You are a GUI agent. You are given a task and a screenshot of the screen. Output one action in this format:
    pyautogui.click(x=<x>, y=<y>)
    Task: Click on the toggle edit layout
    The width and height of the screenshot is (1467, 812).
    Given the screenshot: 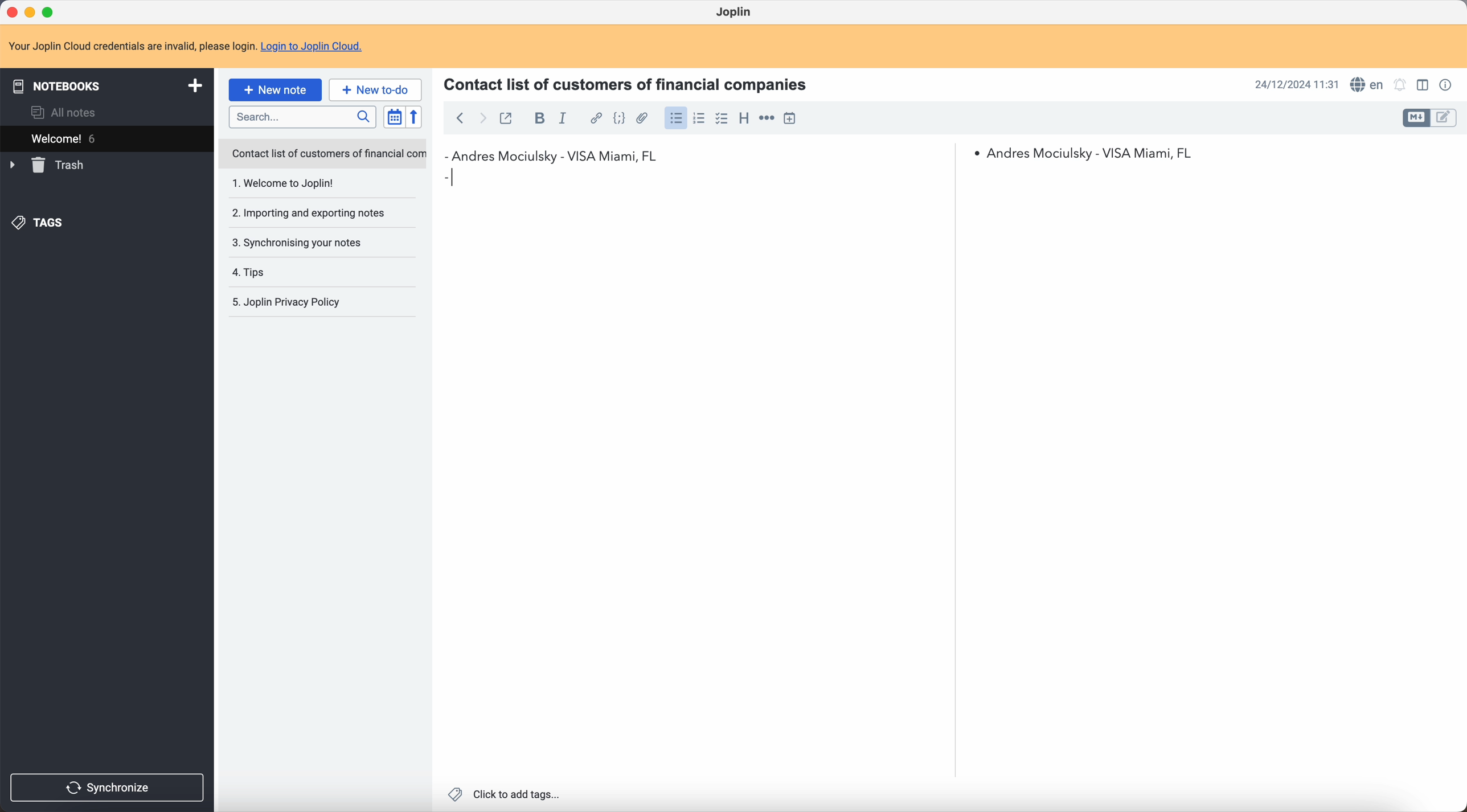 What is the action you would take?
    pyautogui.click(x=1422, y=84)
    